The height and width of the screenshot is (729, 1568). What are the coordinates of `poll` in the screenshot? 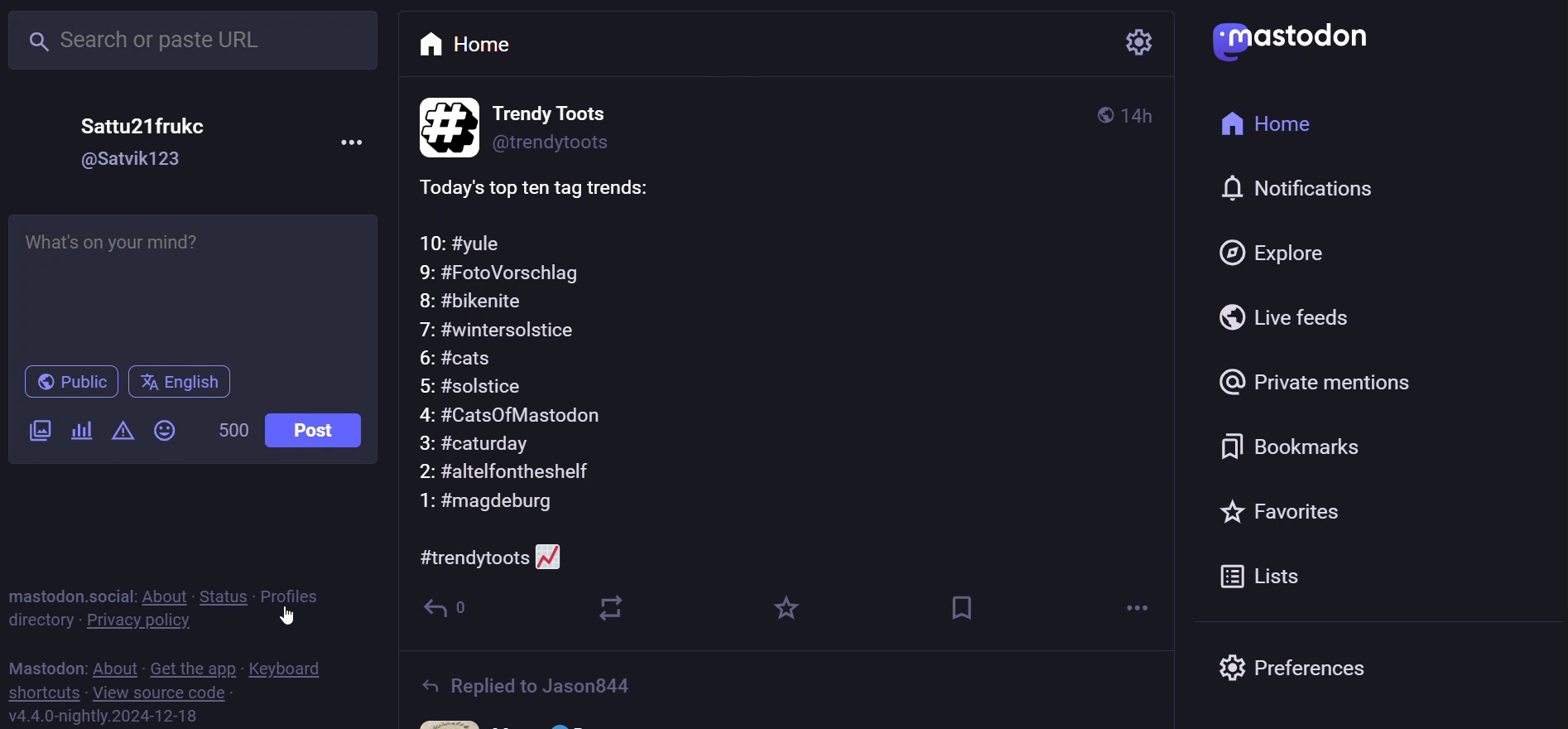 It's located at (80, 431).